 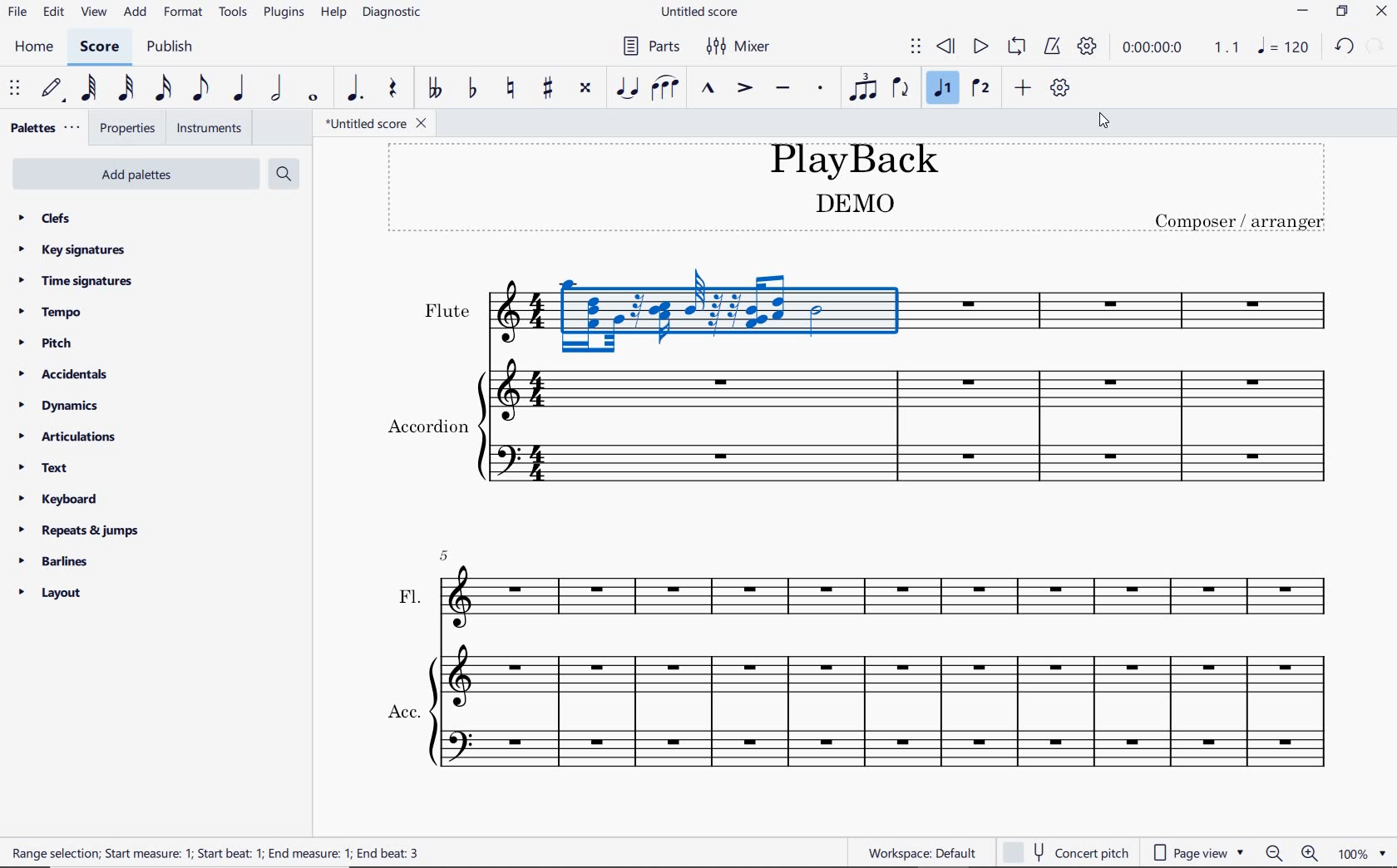 What do you see at coordinates (392, 12) in the screenshot?
I see `diagnostic` at bounding box center [392, 12].